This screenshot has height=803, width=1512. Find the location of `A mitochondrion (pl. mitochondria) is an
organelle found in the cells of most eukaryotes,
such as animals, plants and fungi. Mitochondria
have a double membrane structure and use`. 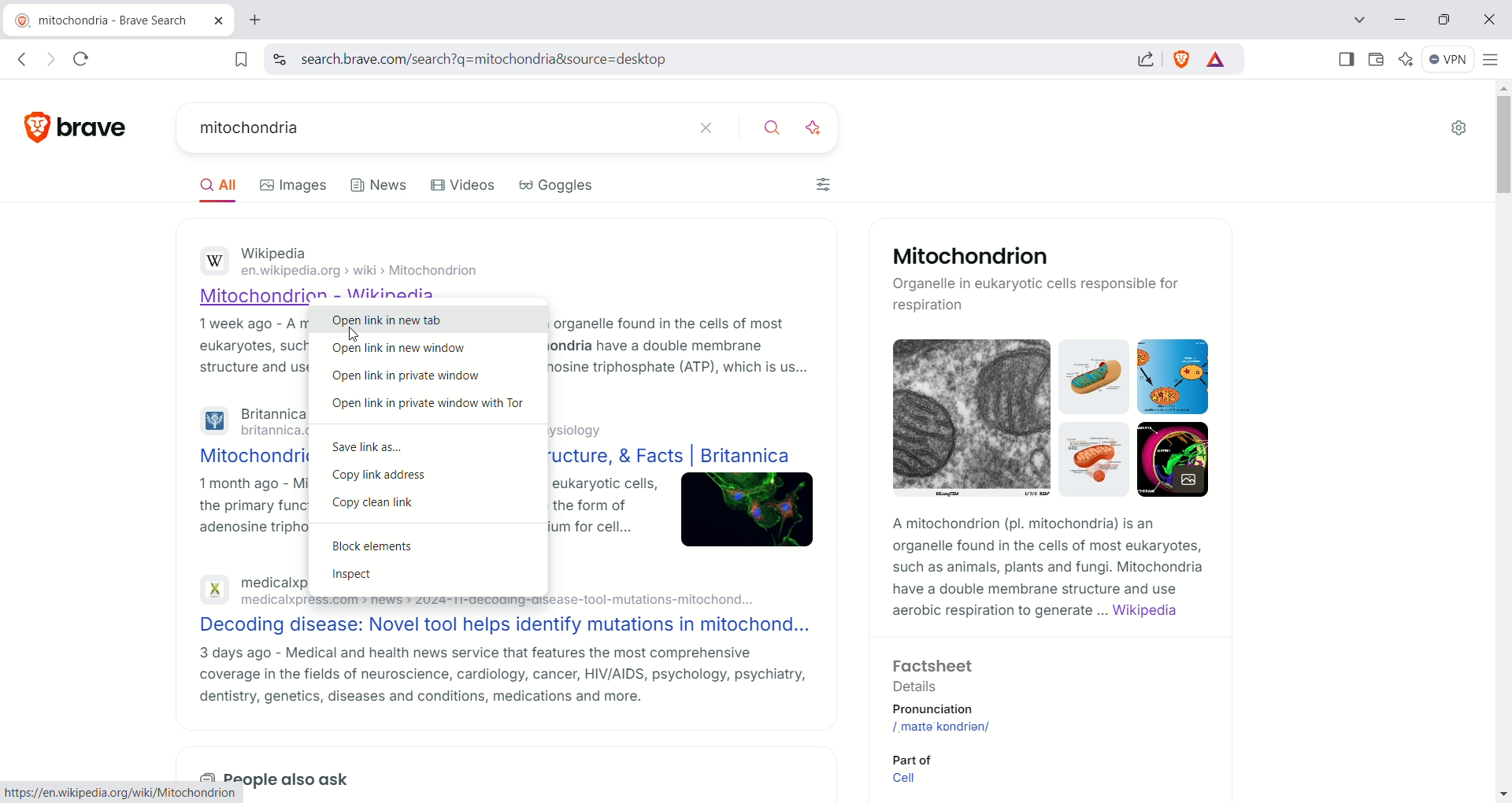

A mitochondrion (pl. mitochondria) is an
organelle found in the cells of most eukaryotes,
such as animals, plants and fungi. Mitochondria
have a double membrane structure and use is located at coordinates (1041, 555).